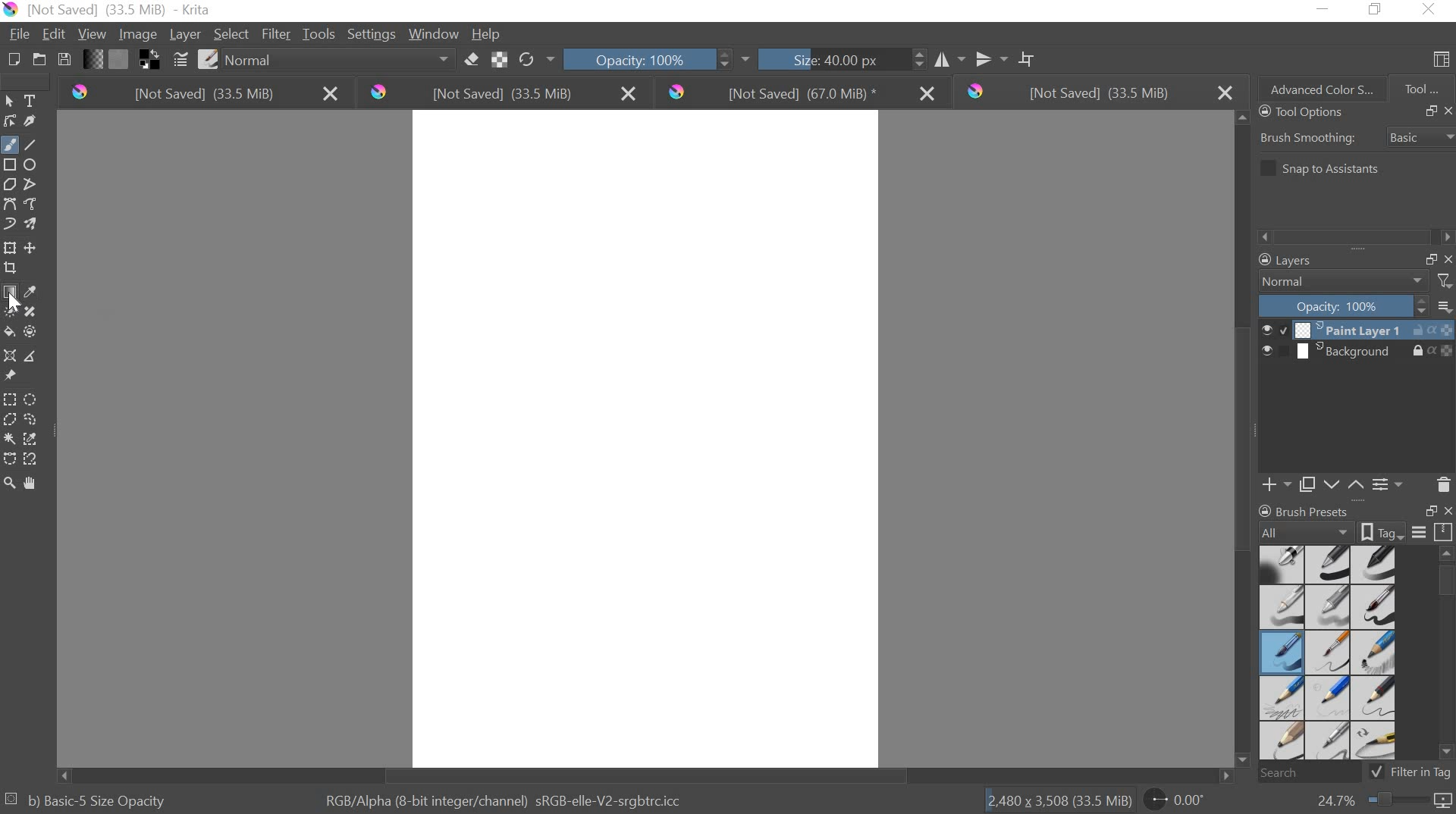 This screenshot has height=814, width=1456. I want to click on BRUSH SMOOTHING, so click(1354, 138).